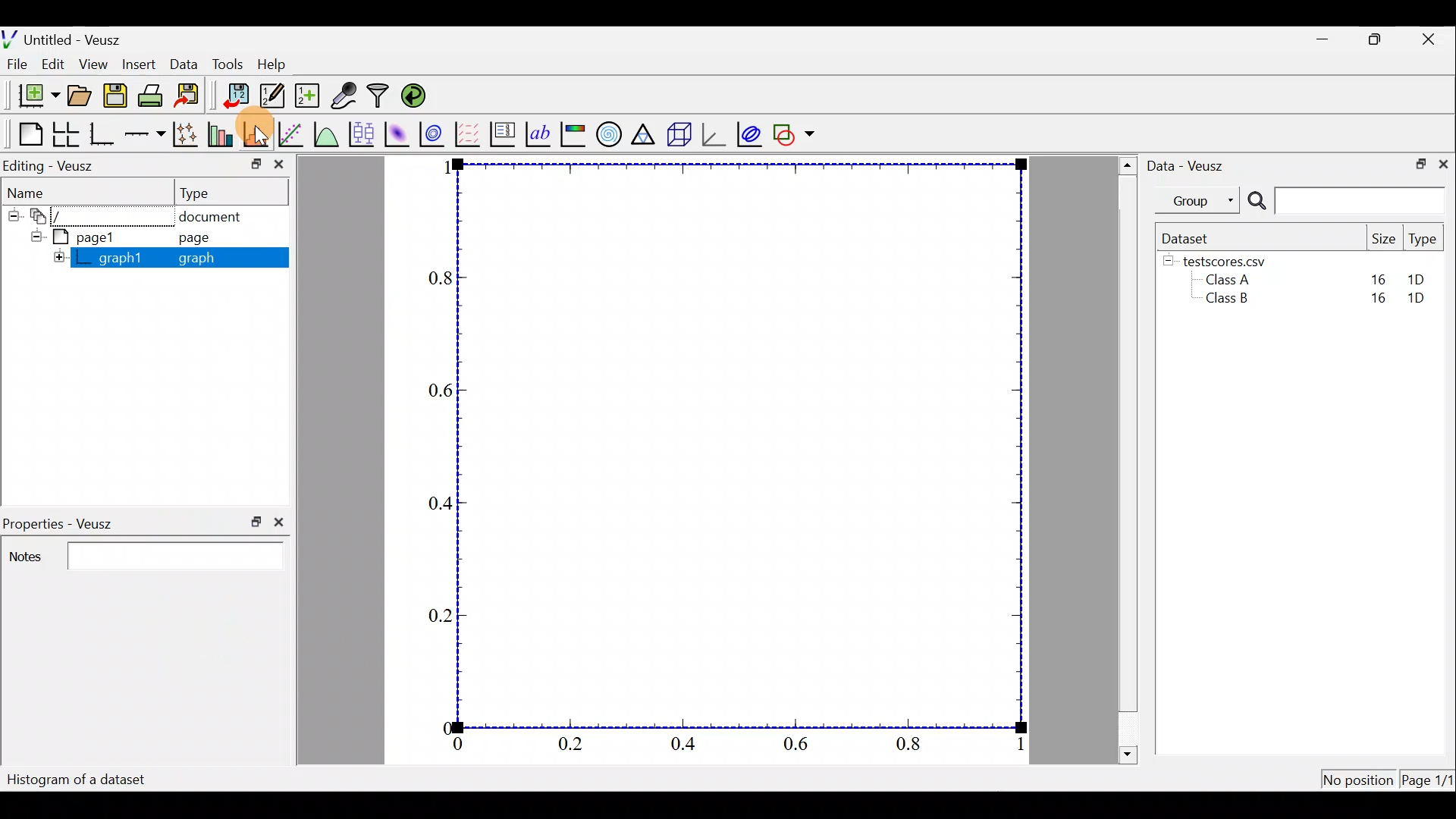  I want to click on Page 1/1, so click(1429, 780).